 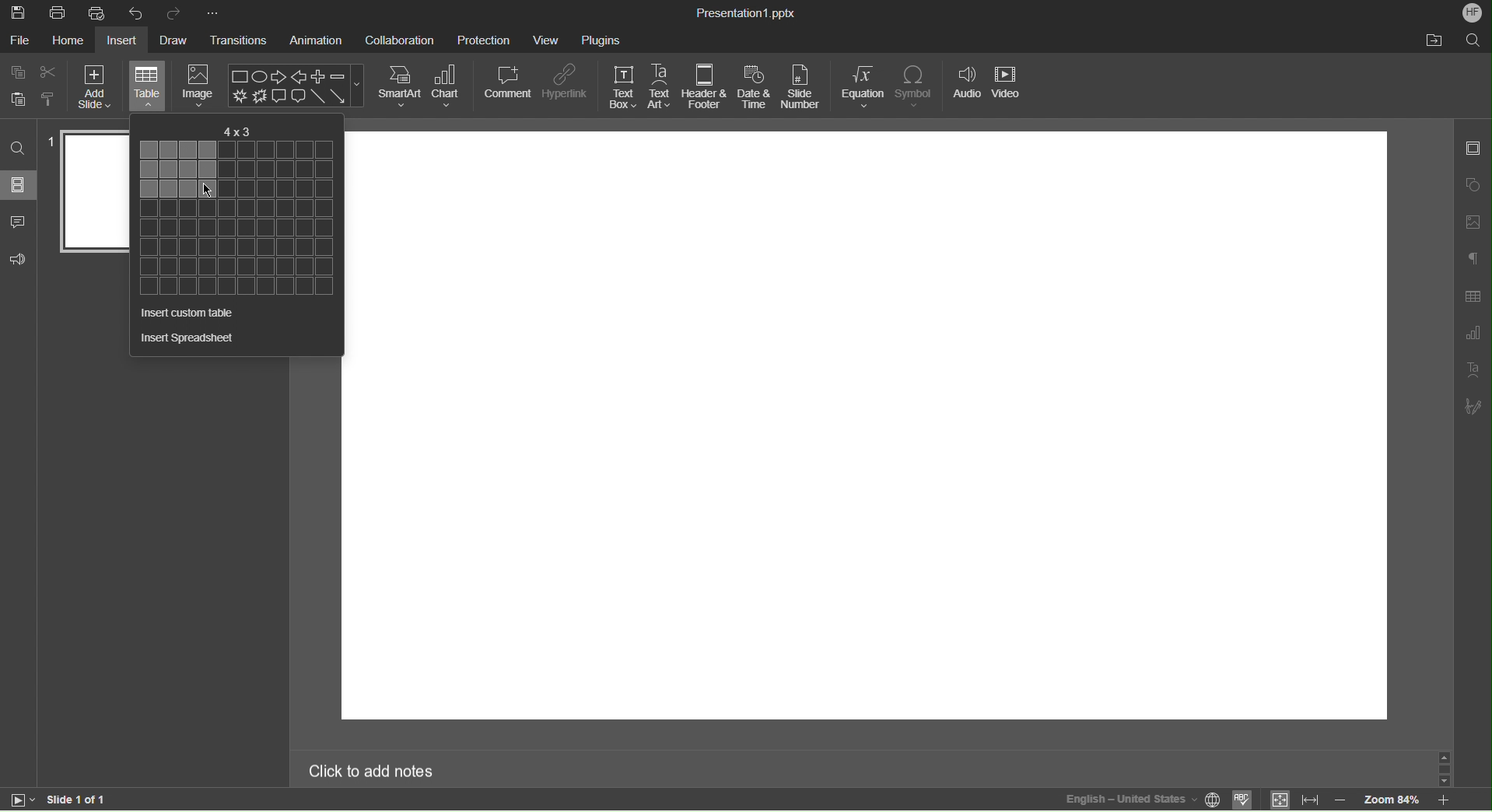 What do you see at coordinates (1473, 13) in the screenshot?
I see `Account` at bounding box center [1473, 13].